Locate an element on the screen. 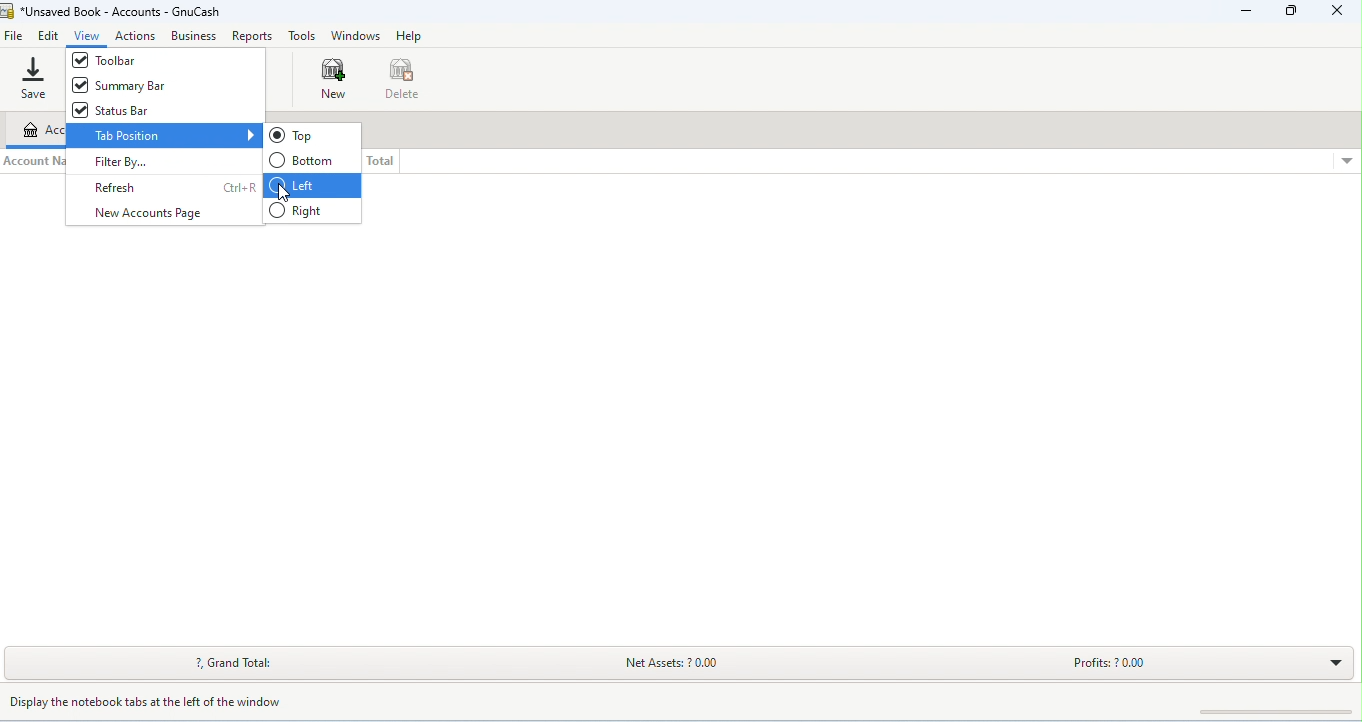  actions is located at coordinates (135, 37).